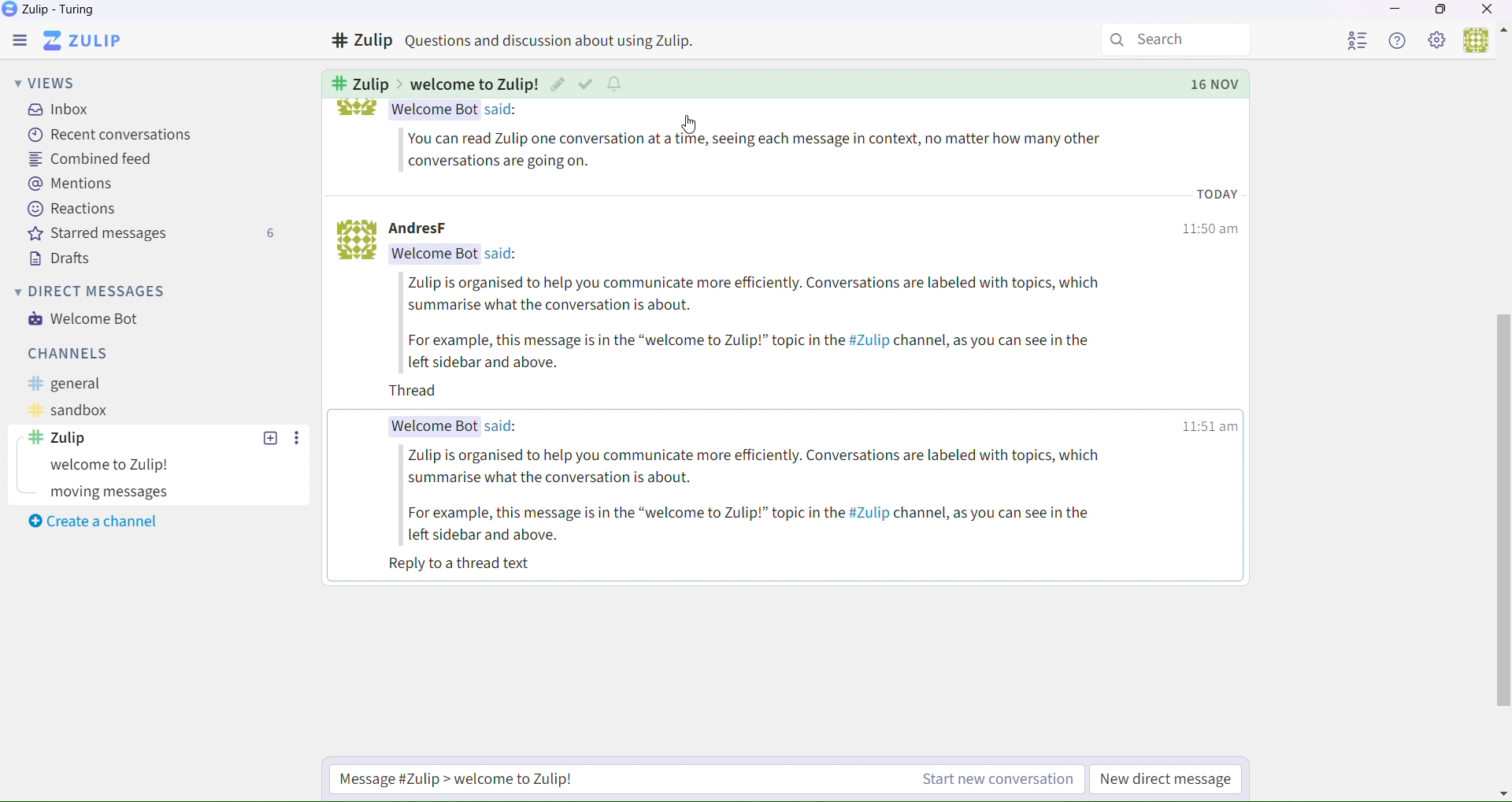 Image resolution: width=1512 pixels, height=802 pixels. What do you see at coordinates (72, 185) in the screenshot?
I see `Mentions` at bounding box center [72, 185].